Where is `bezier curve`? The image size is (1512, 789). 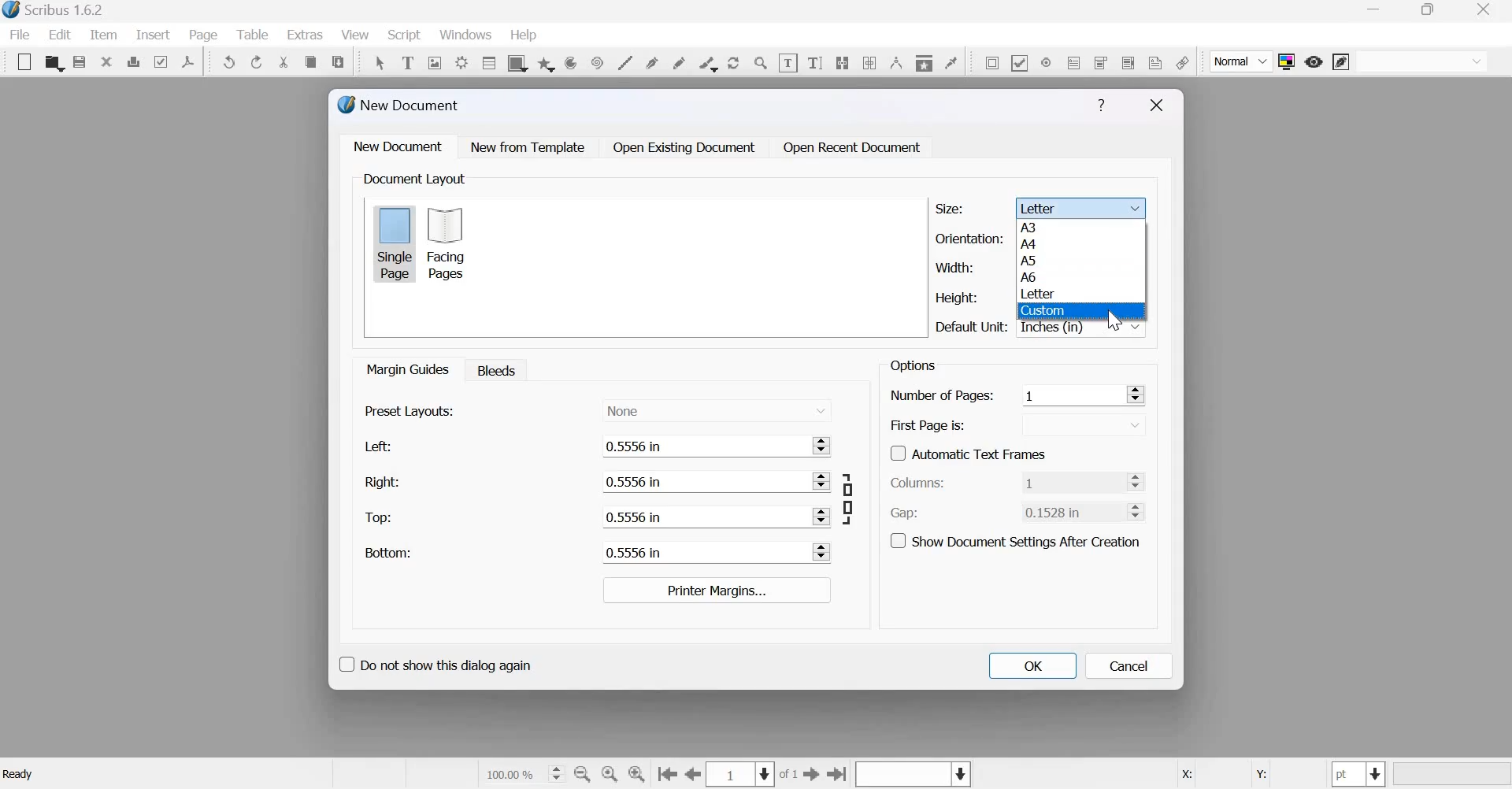
bezier curve is located at coordinates (654, 61).